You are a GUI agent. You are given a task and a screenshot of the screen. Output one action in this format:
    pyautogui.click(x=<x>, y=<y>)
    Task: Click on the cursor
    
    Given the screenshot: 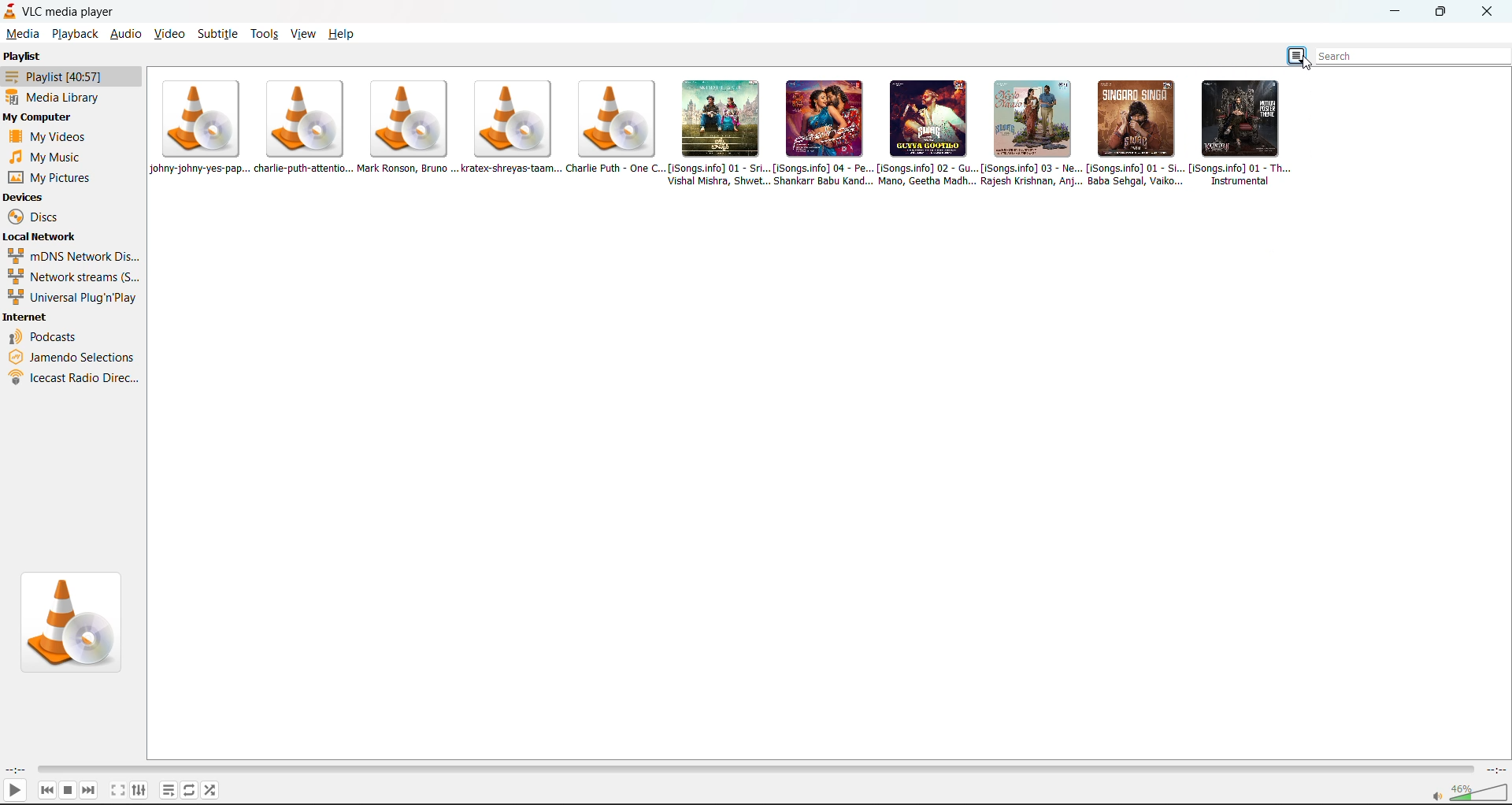 What is the action you would take?
    pyautogui.click(x=1310, y=65)
    